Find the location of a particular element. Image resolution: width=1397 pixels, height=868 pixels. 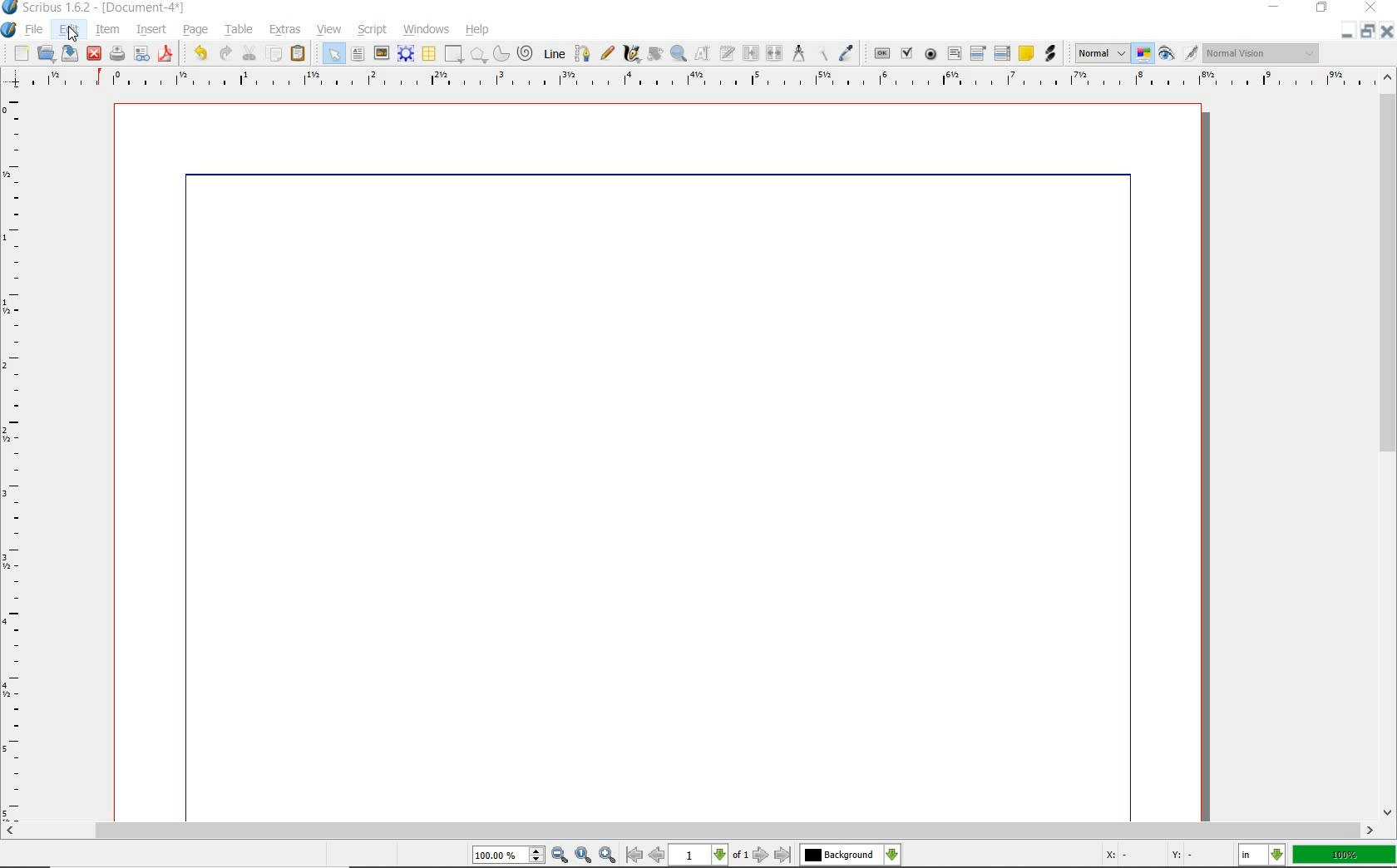

open is located at coordinates (47, 53).